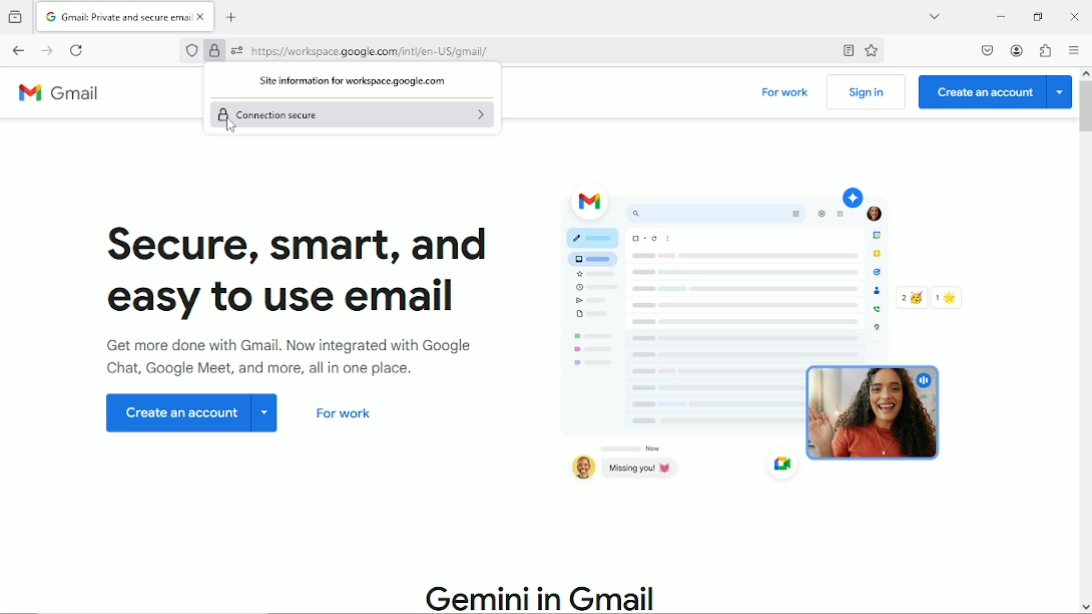 This screenshot has height=614, width=1092. Describe the element at coordinates (758, 335) in the screenshot. I see `Graphic` at that location.